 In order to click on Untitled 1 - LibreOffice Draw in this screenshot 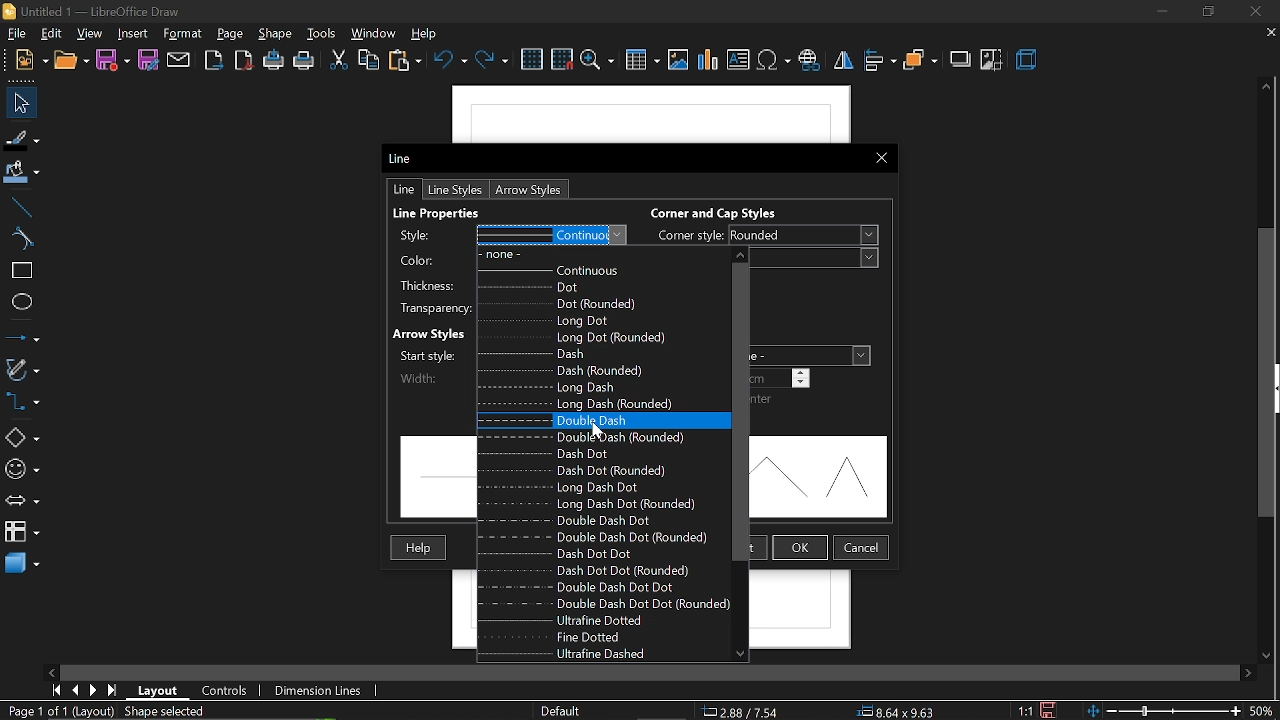, I will do `click(93, 11)`.